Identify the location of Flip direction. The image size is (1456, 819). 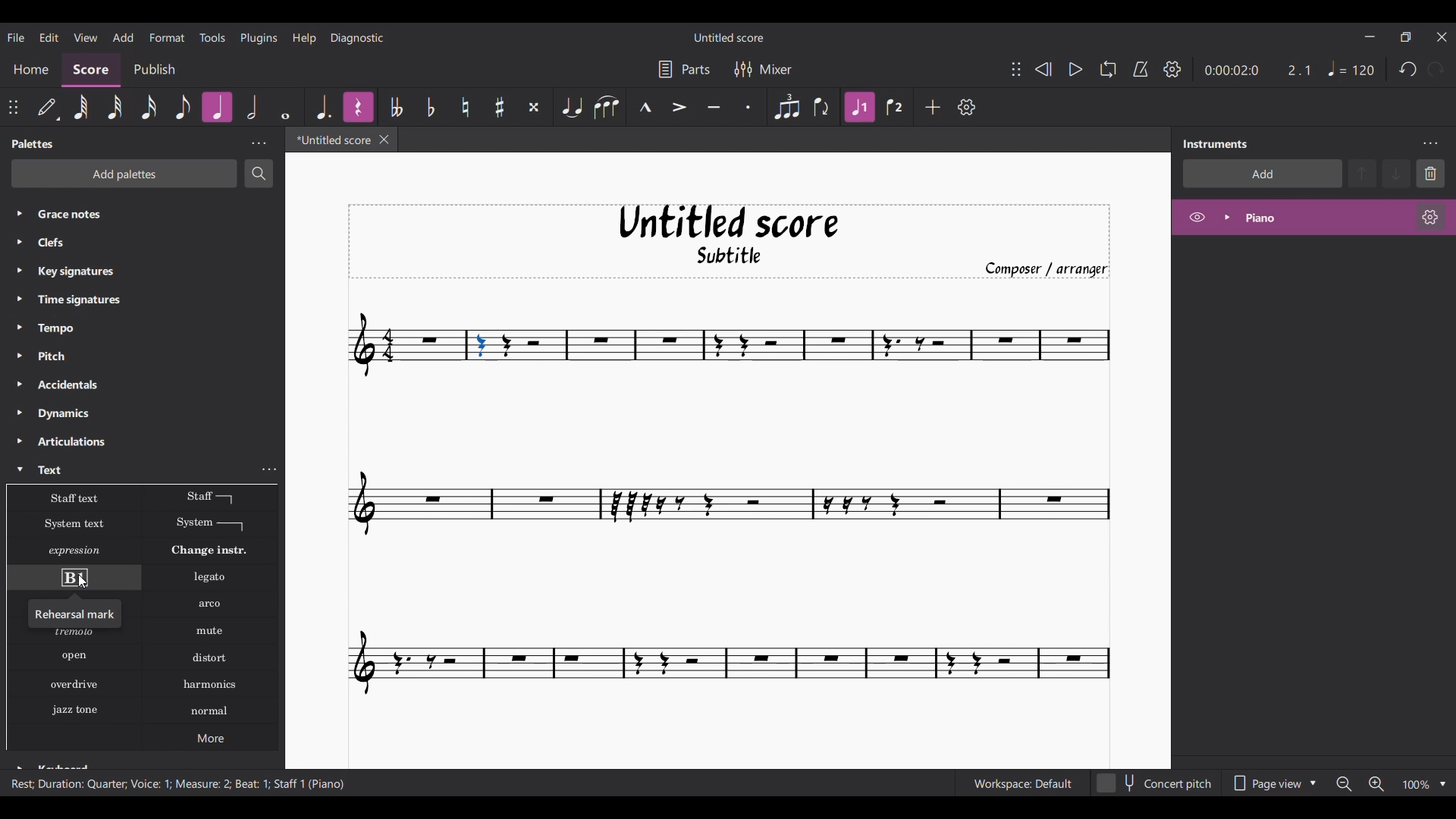
(821, 107).